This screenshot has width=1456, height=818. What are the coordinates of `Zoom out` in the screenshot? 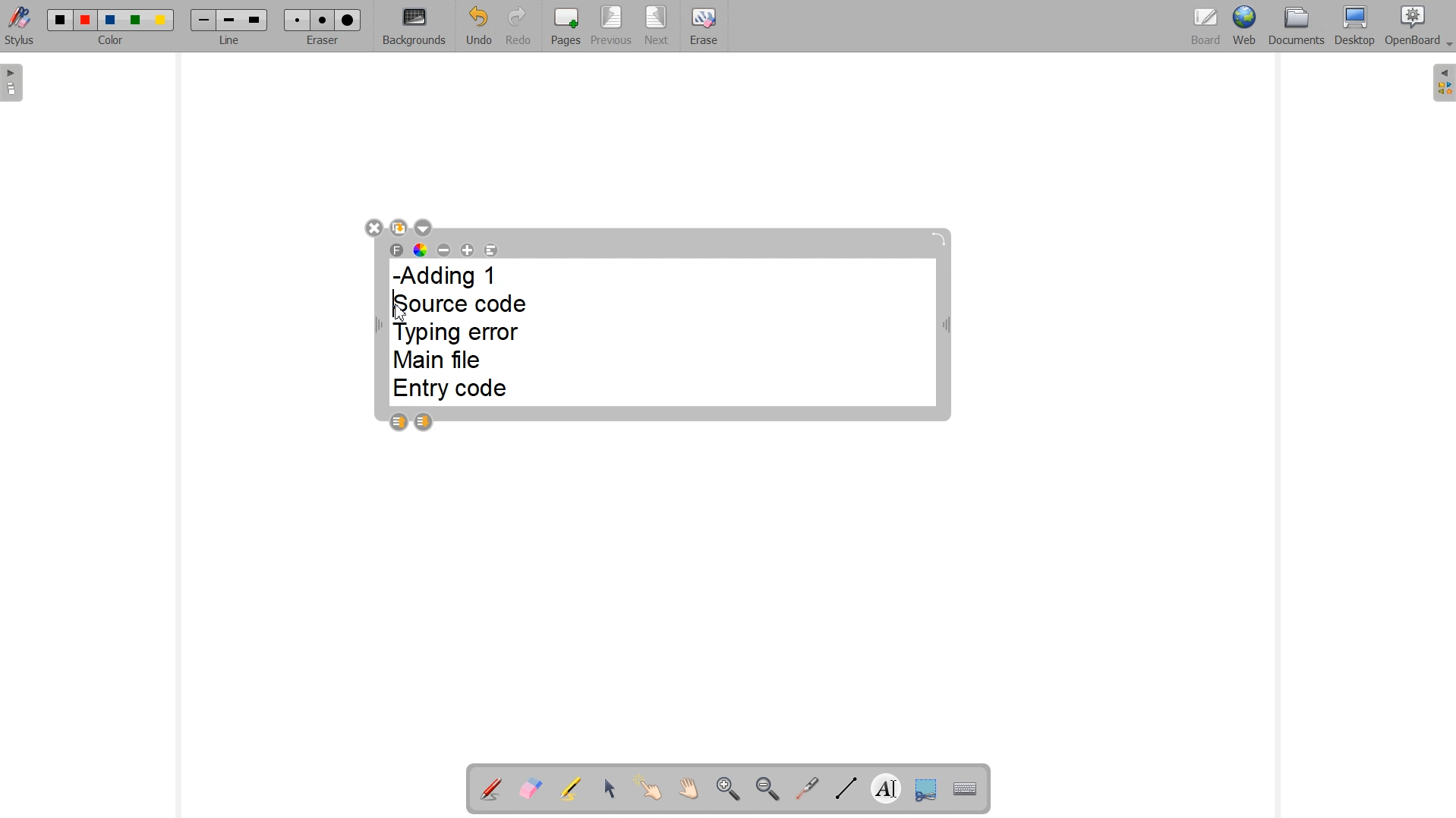 It's located at (767, 788).